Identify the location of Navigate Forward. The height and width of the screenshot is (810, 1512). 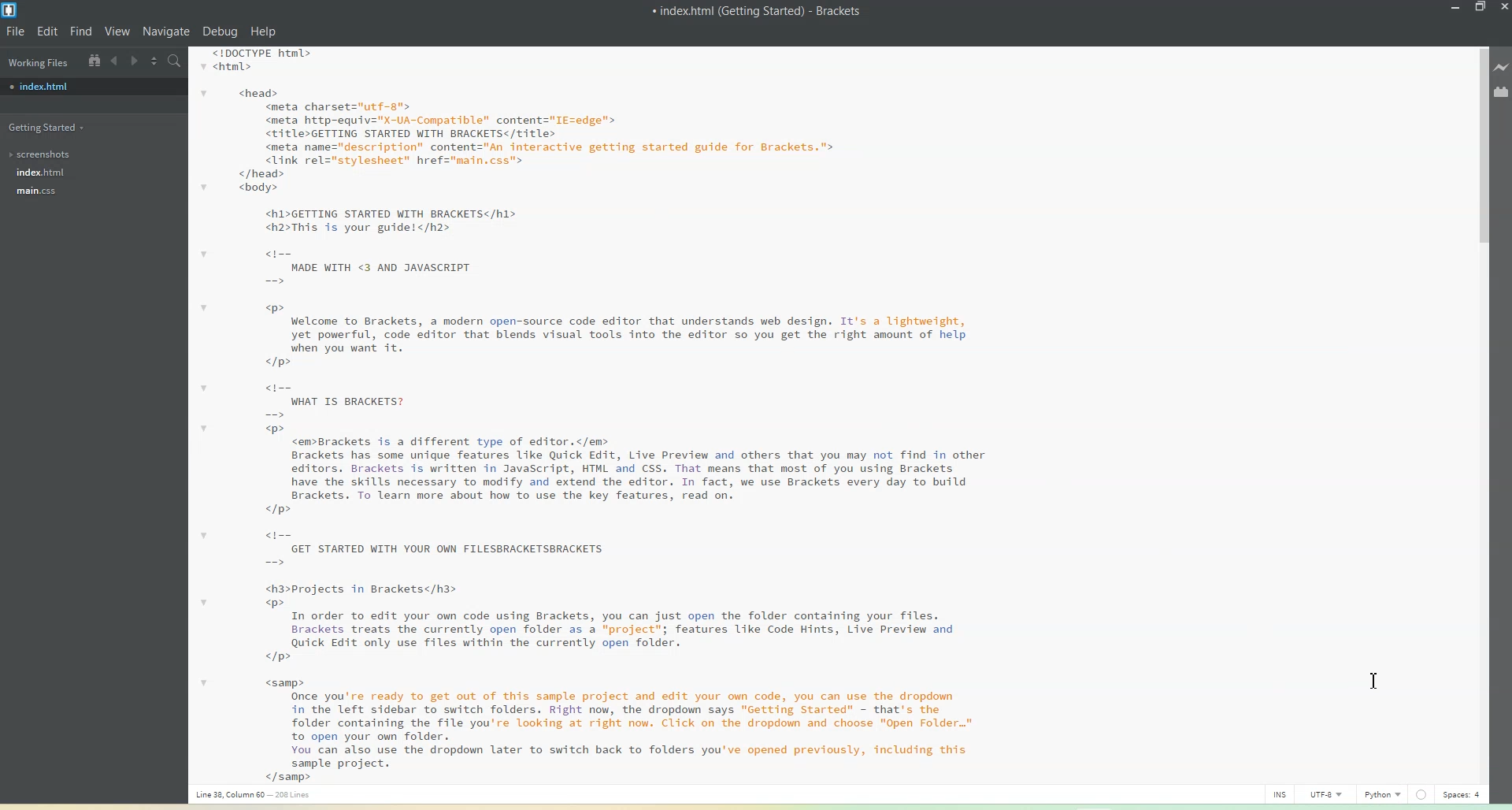
(134, 60).